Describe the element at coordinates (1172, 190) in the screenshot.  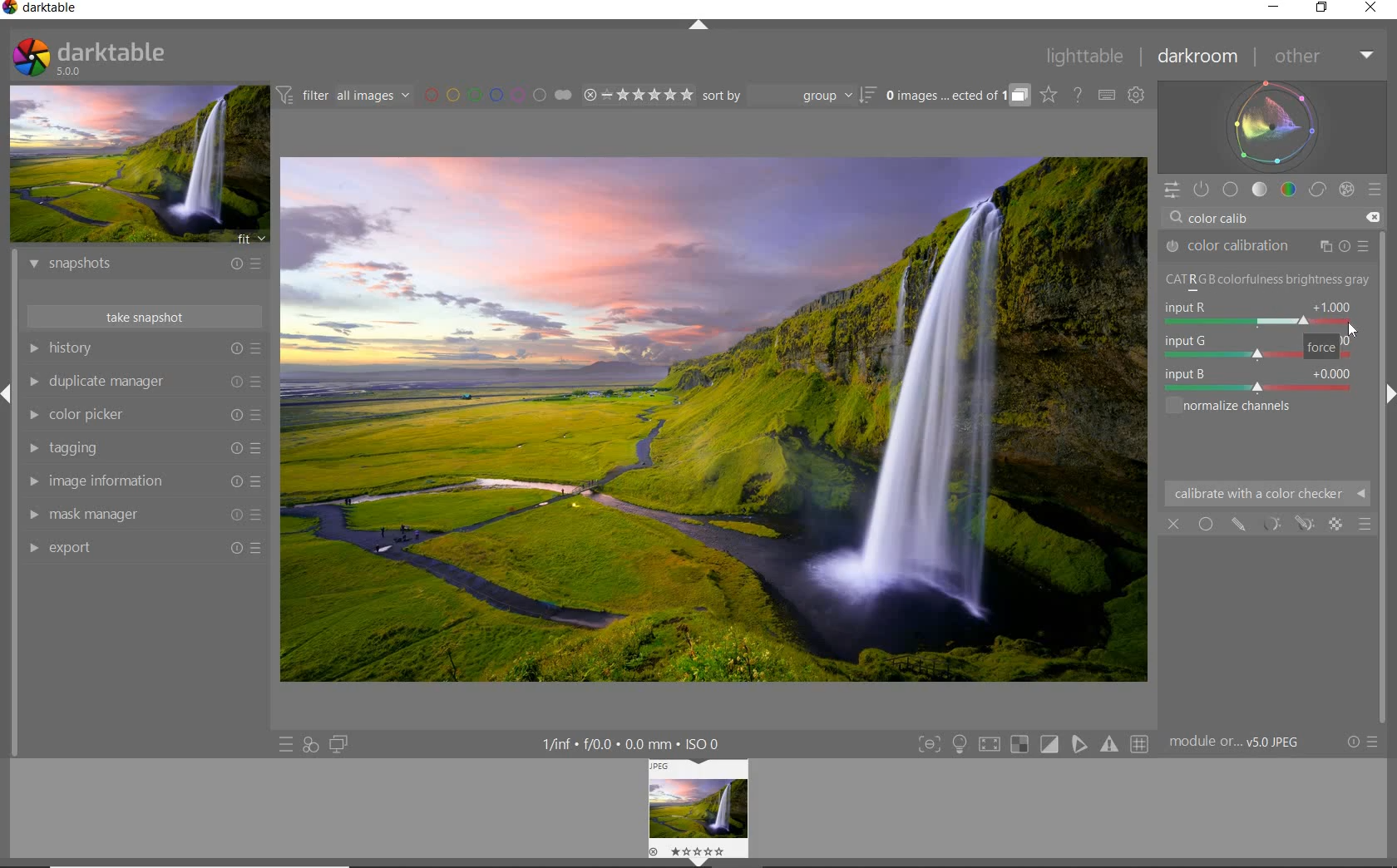
I see `QUICK ACCESS PANEL` at that location.